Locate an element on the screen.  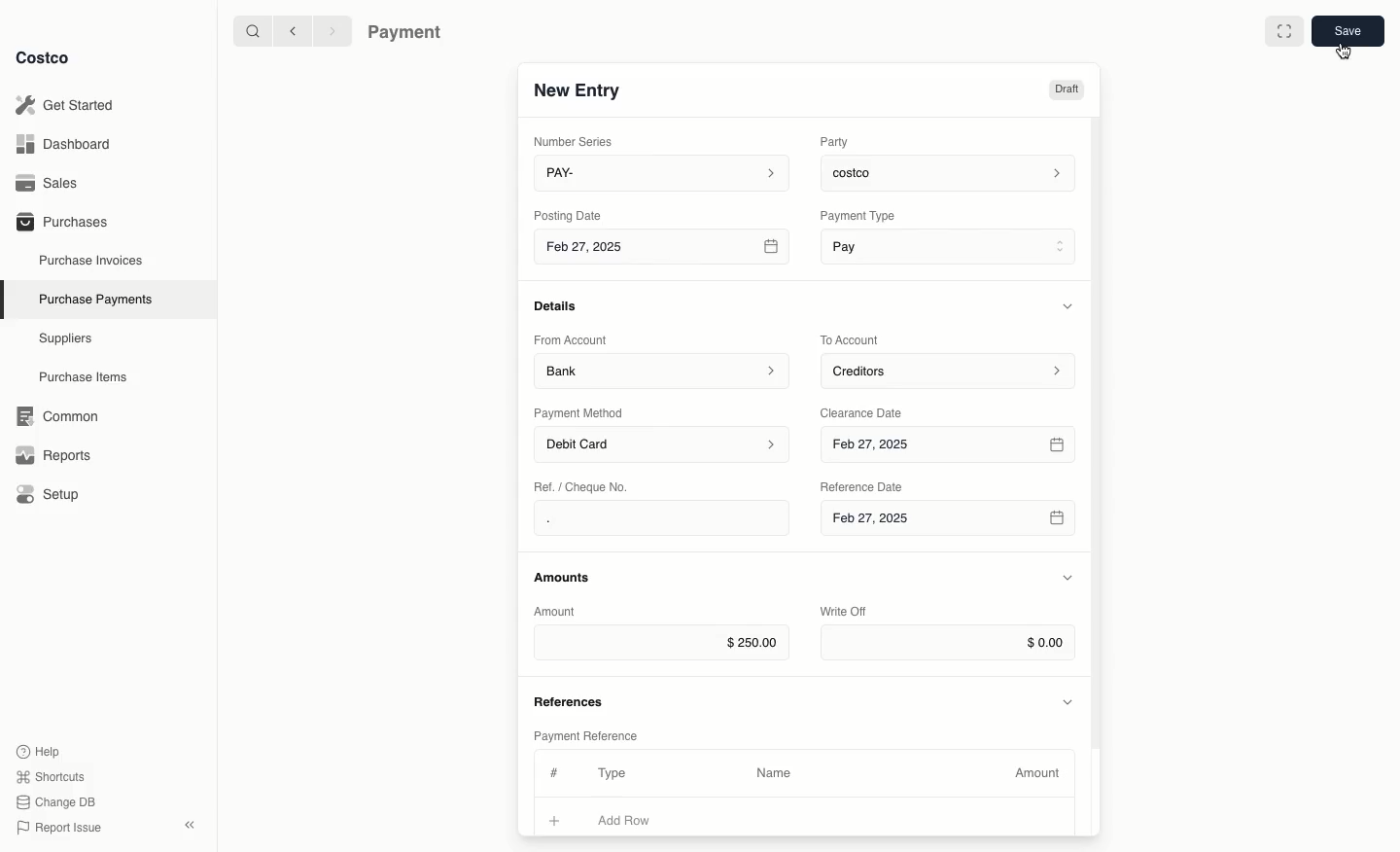
Costco is located at coordinates (42, 57).